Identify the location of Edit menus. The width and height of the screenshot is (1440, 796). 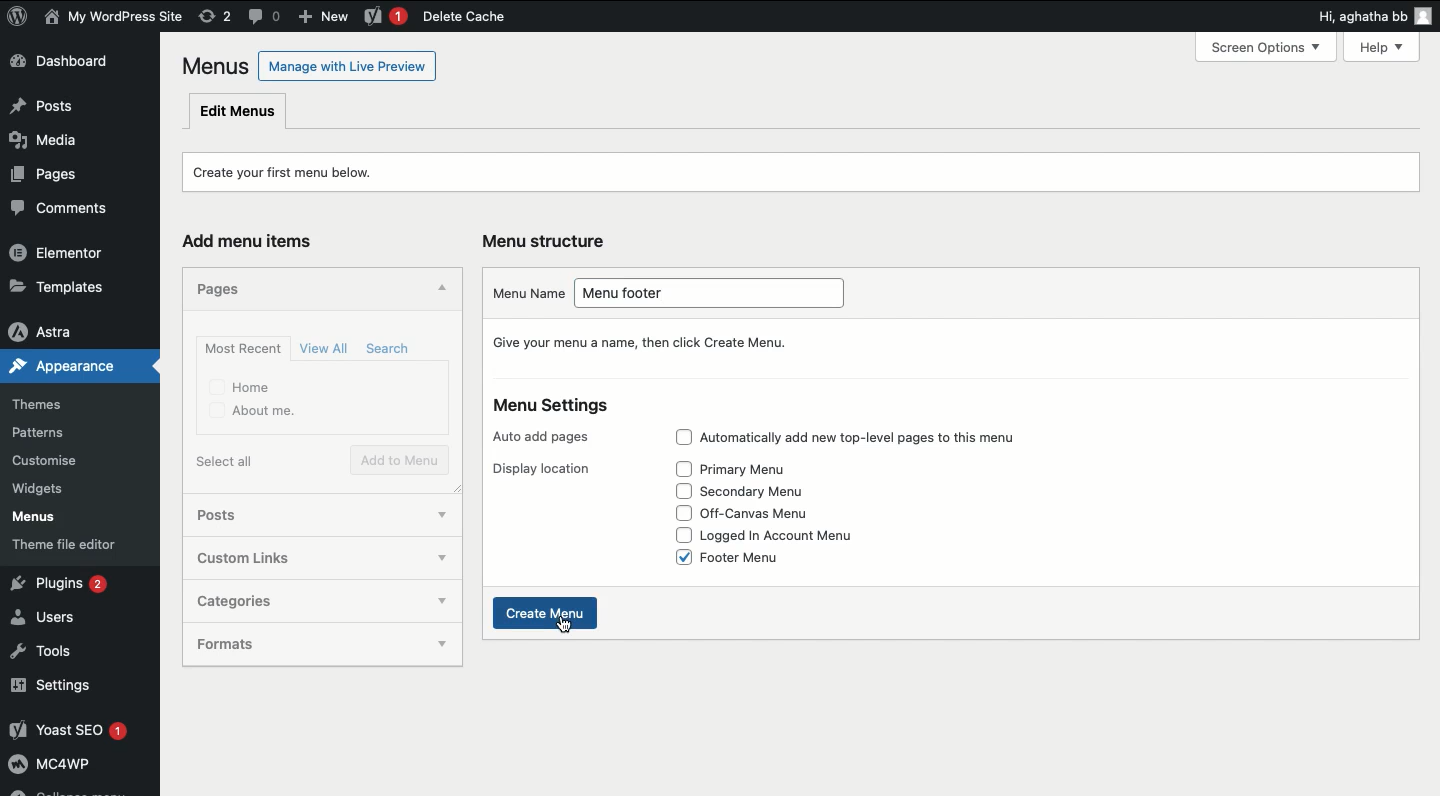
(238, 112).